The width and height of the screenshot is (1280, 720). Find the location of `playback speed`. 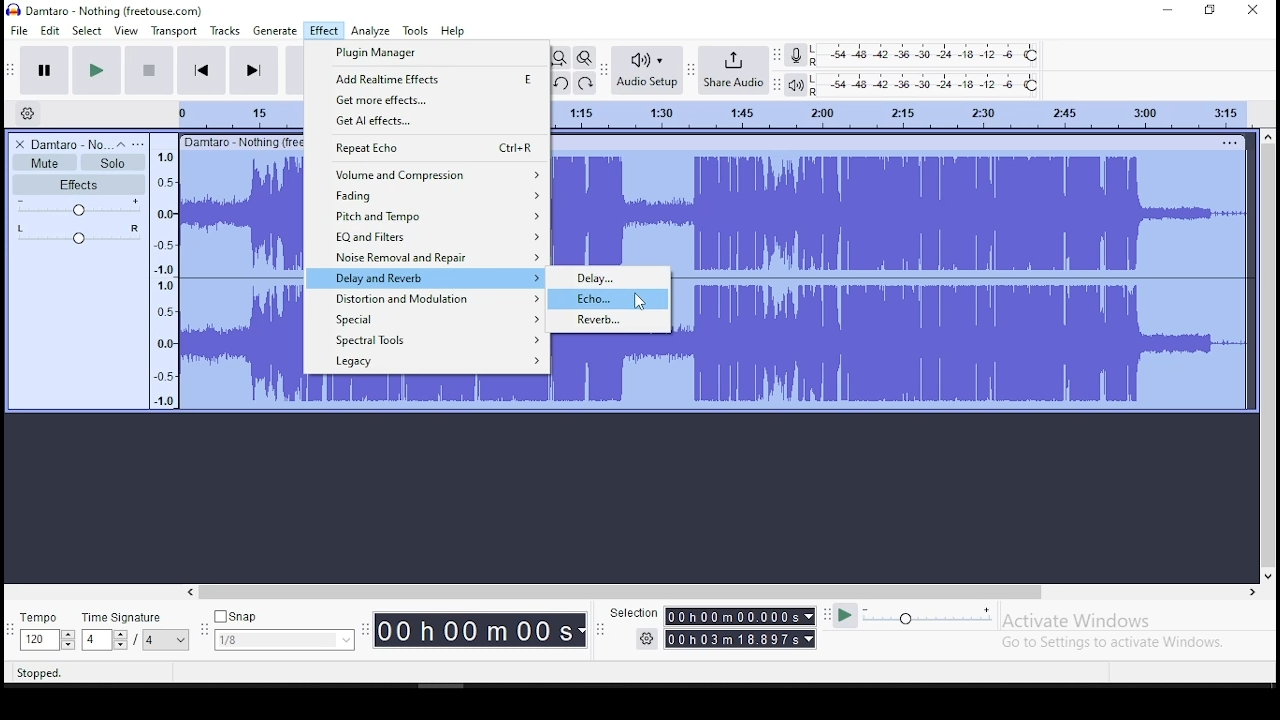

playback speed is located at coordinates (928, 617).